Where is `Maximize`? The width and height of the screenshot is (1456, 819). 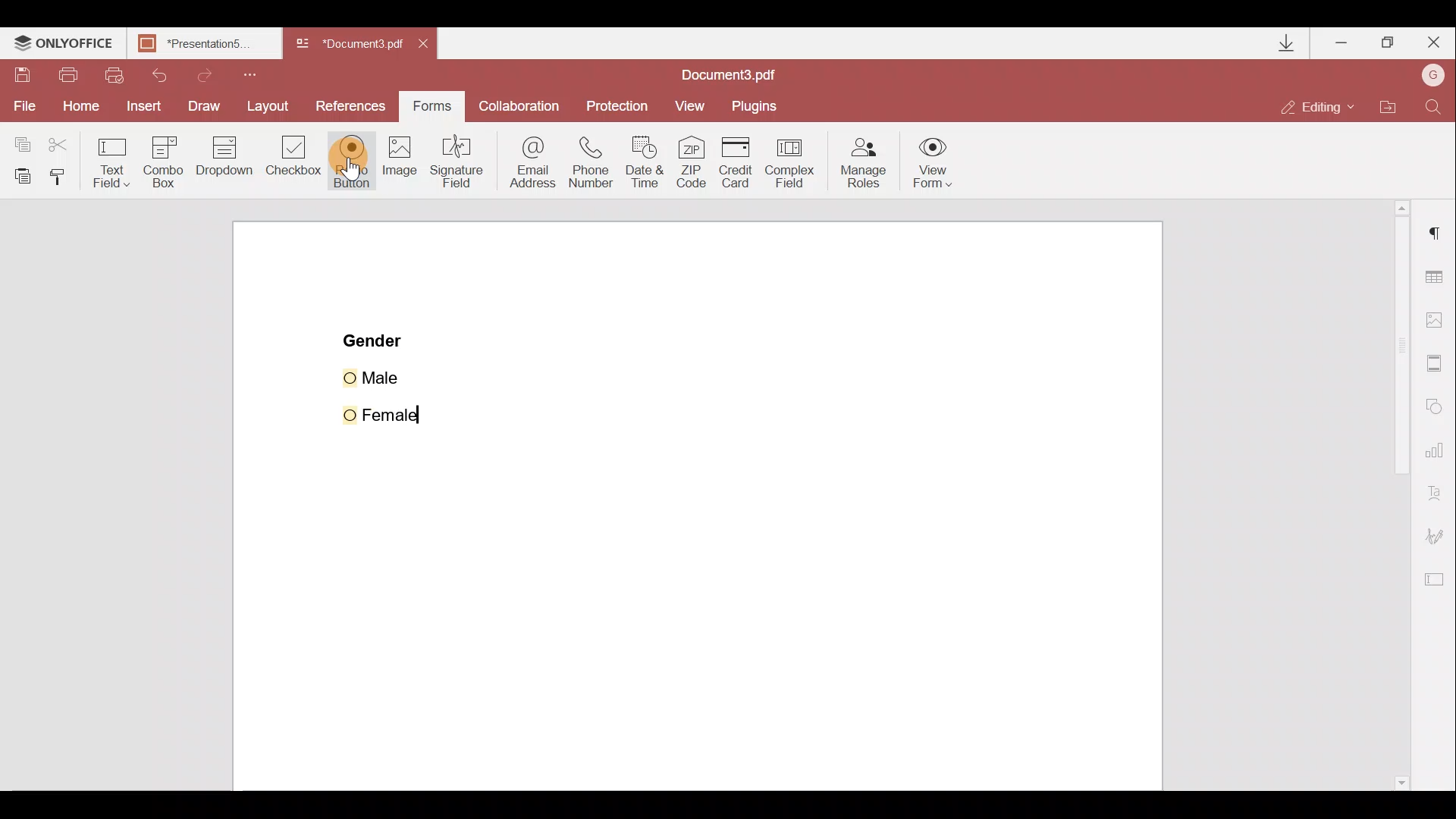
Maximize is located at coordinates (1389, 41).